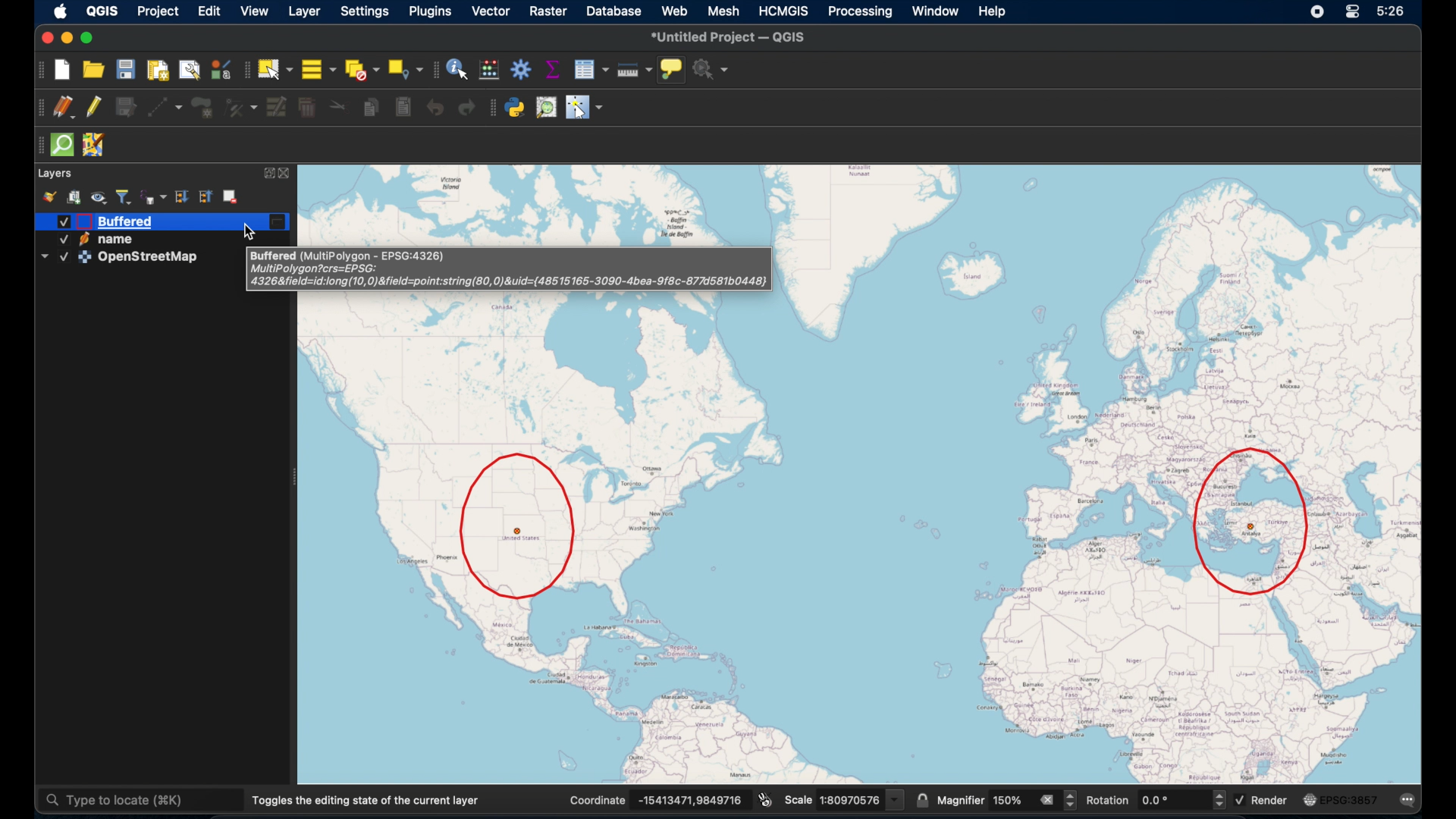 This screenshot has height=819, width=1456. I want to click on drag handles, so click(37, 108).